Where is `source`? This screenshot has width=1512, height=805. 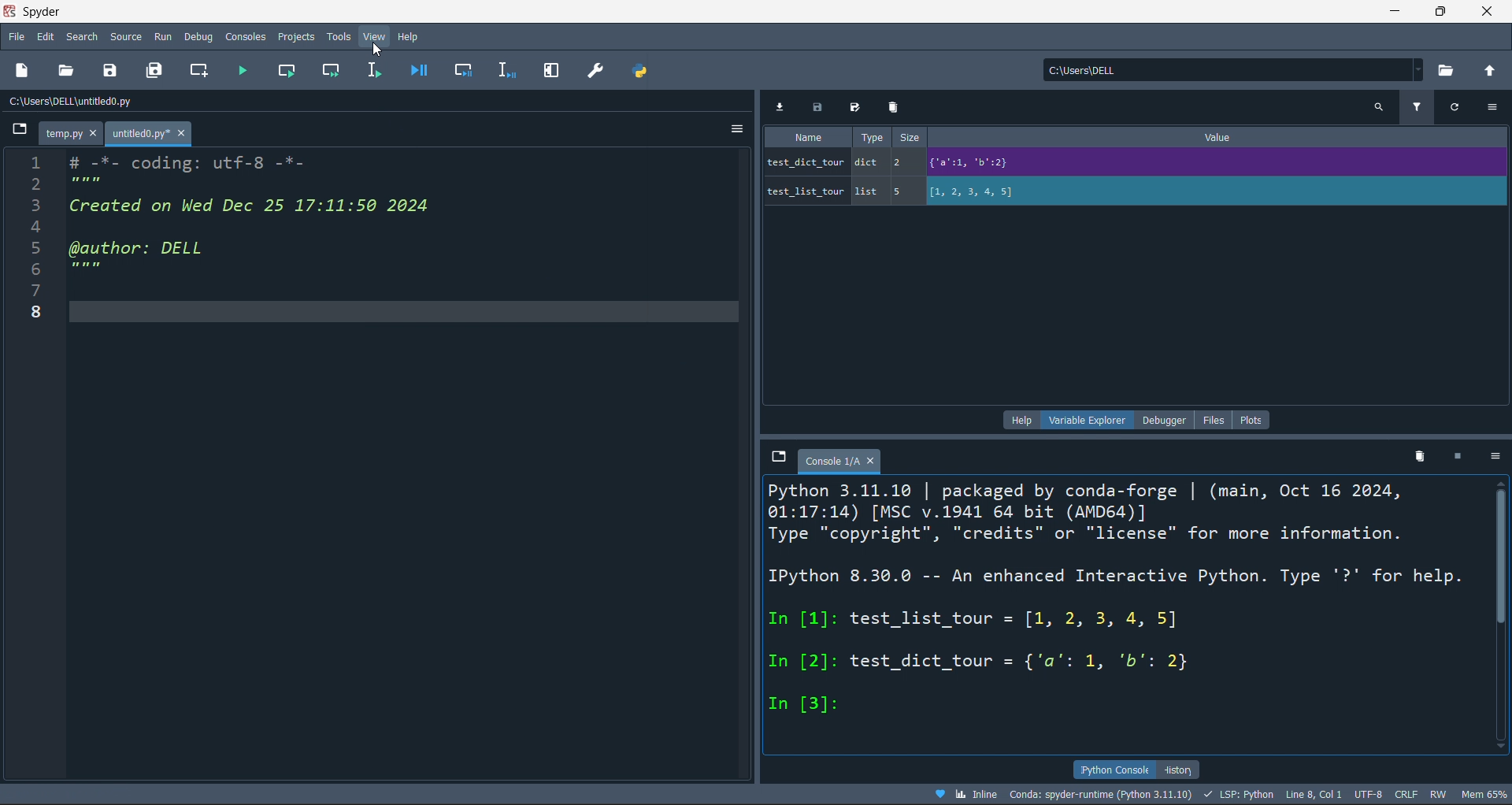 source is located at coordinates (124, 37).